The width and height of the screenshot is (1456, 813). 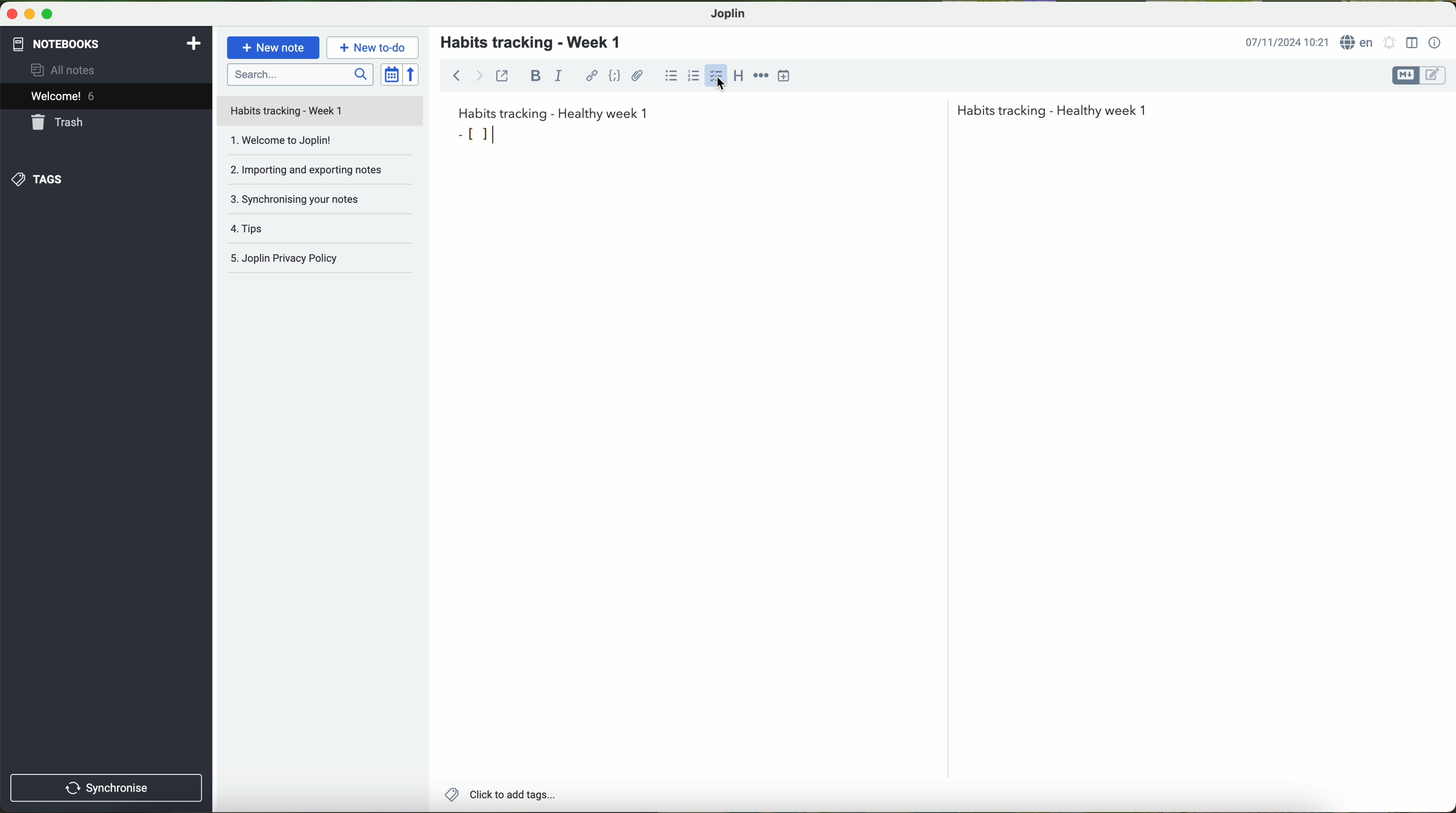 I want to click on numbered list, so click(x=695, y=75).